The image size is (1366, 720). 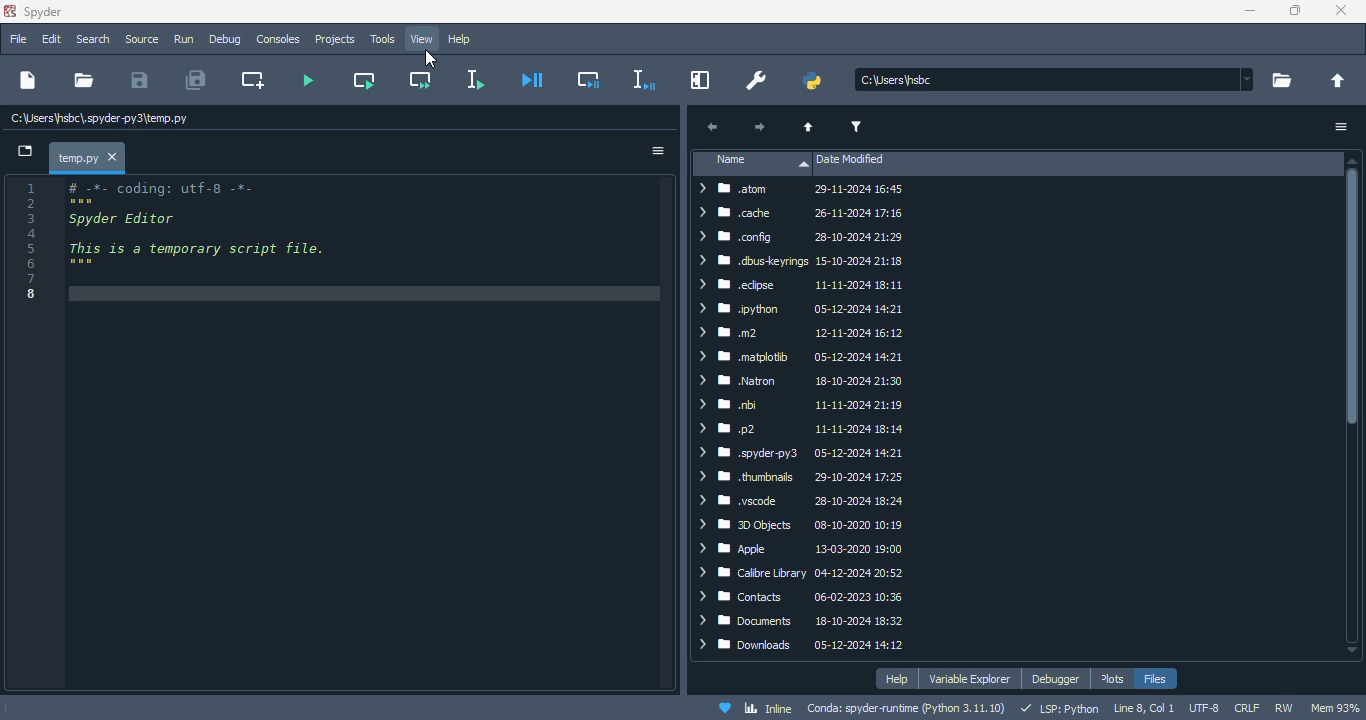 What do you see at coordinates (114, 157) in the screenshot?
I see `close` at bounding box center [114, 157].